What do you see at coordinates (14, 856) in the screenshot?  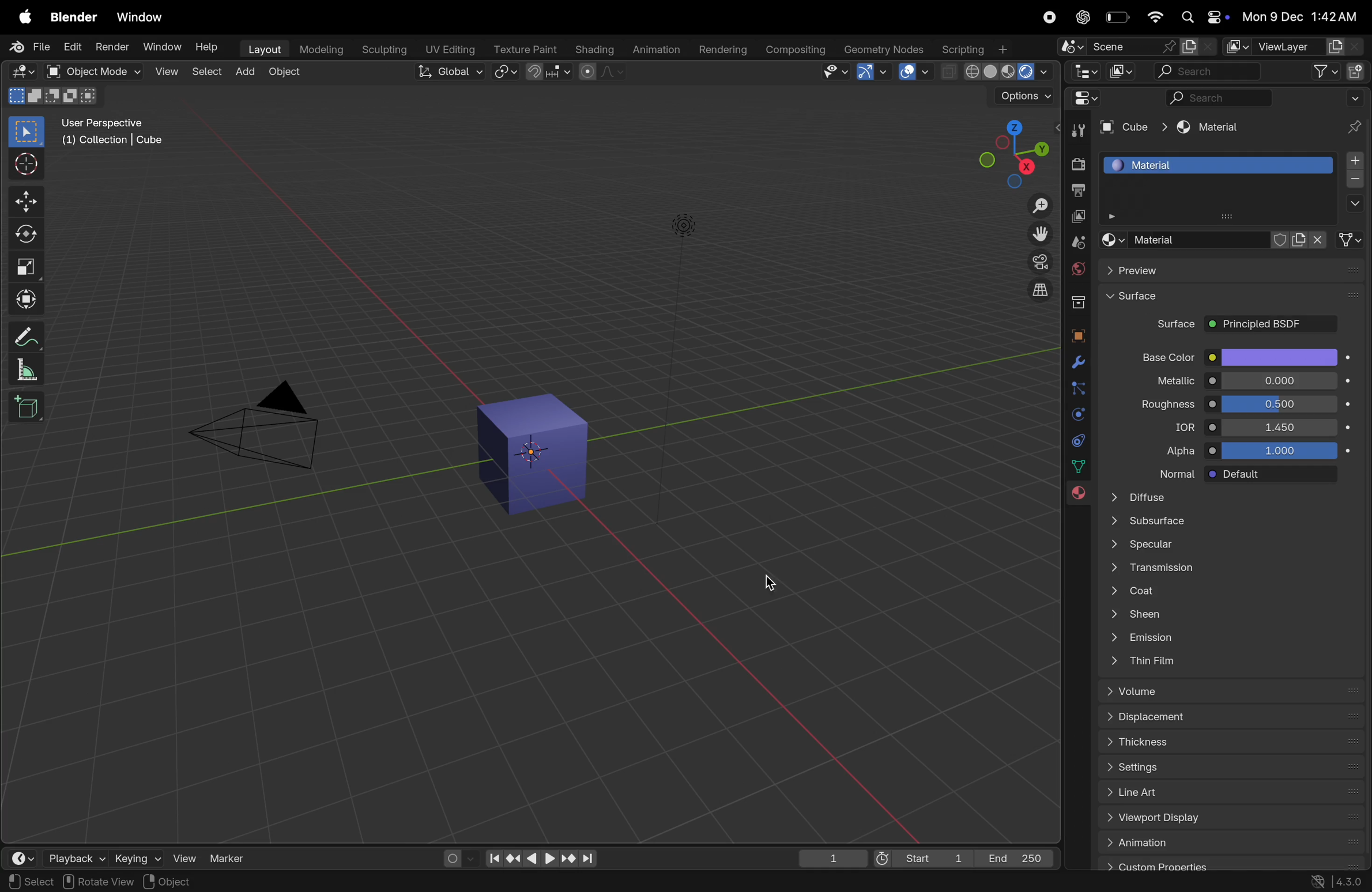 I see `editor type` at bounding box center [14, 856].